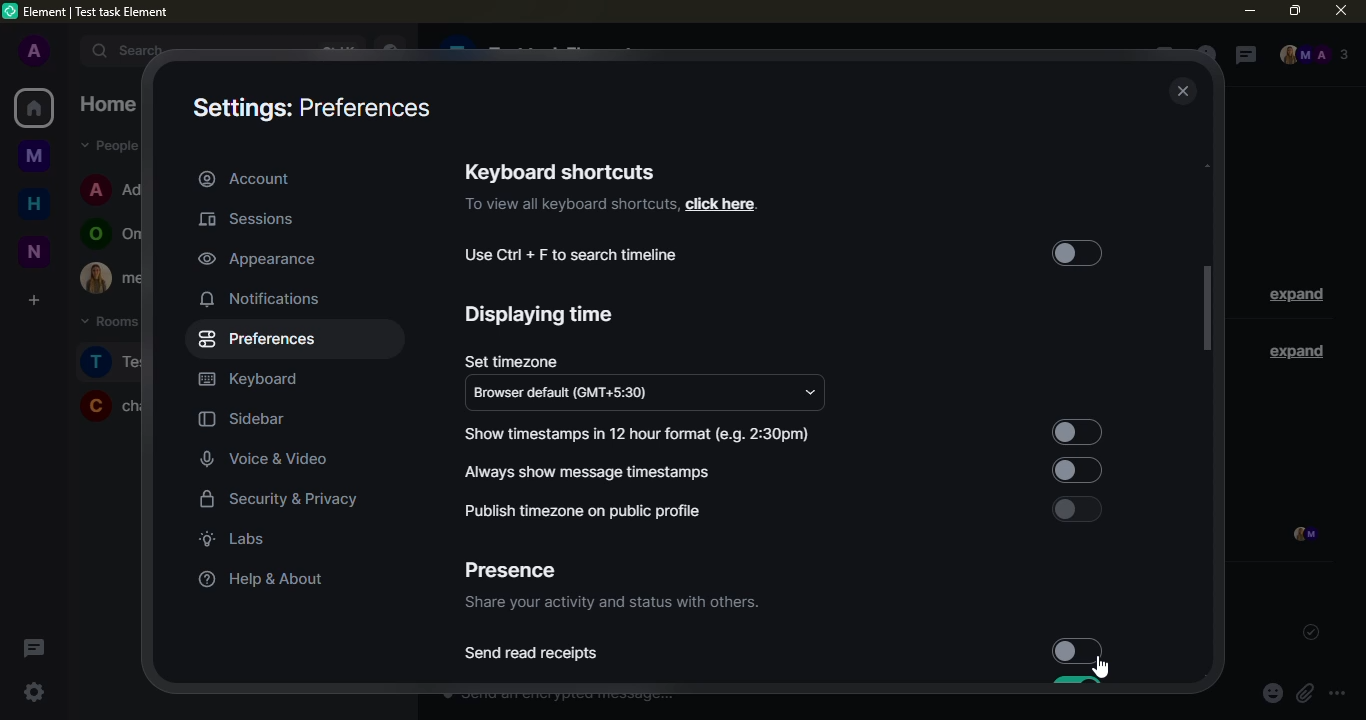 The height and width of the screenshot is (720, 1366). Describe the element at coordinates (580, 511) in the screenshot. I see `publish timezone` at that location.